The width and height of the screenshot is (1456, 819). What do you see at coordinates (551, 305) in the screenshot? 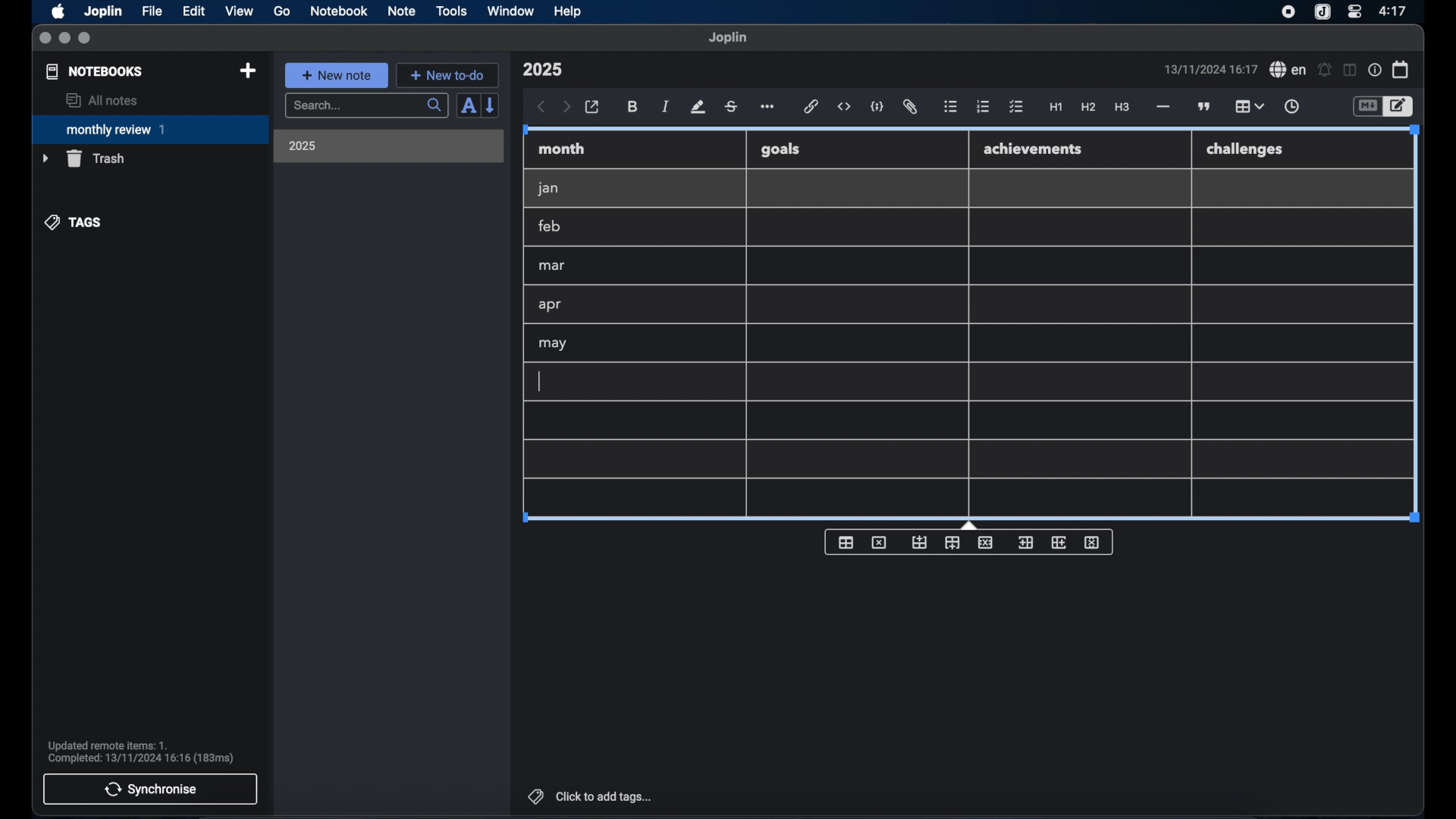
I see `apr` at bounding box center [551, 305].